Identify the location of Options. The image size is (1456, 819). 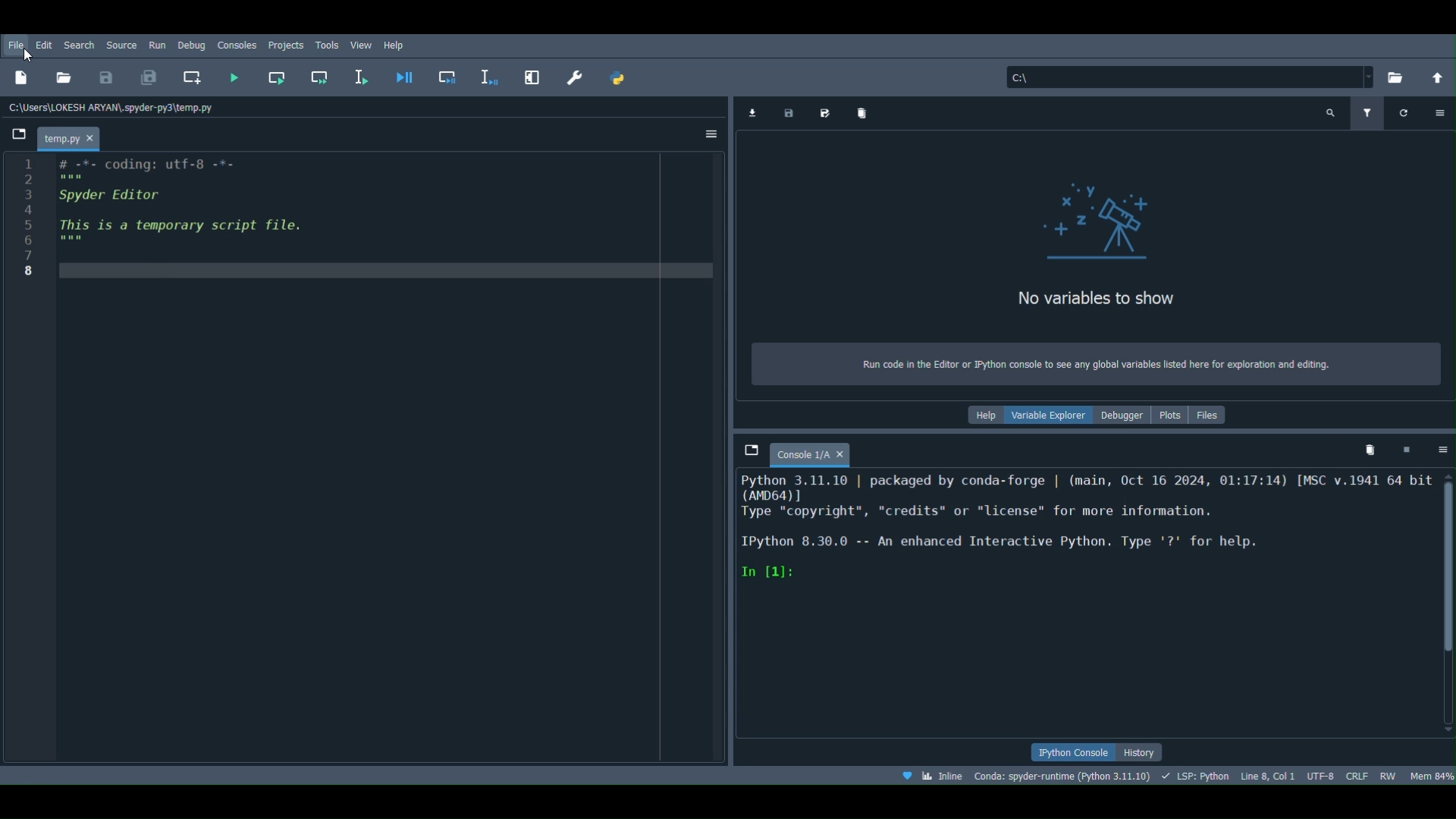
(1442, 453).